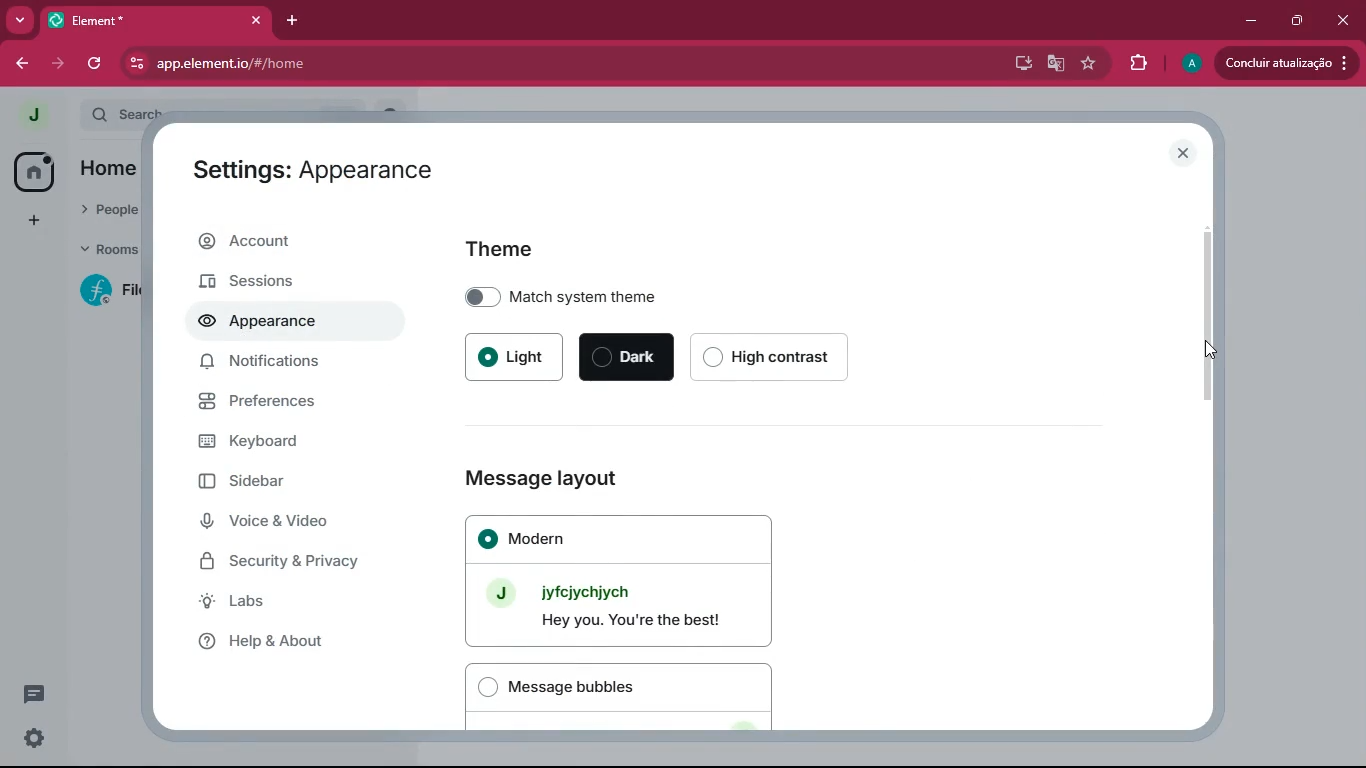  What do you see at coordinates (20, 61) in the screenshot?
I see `back` at bounding box center [20, 61].